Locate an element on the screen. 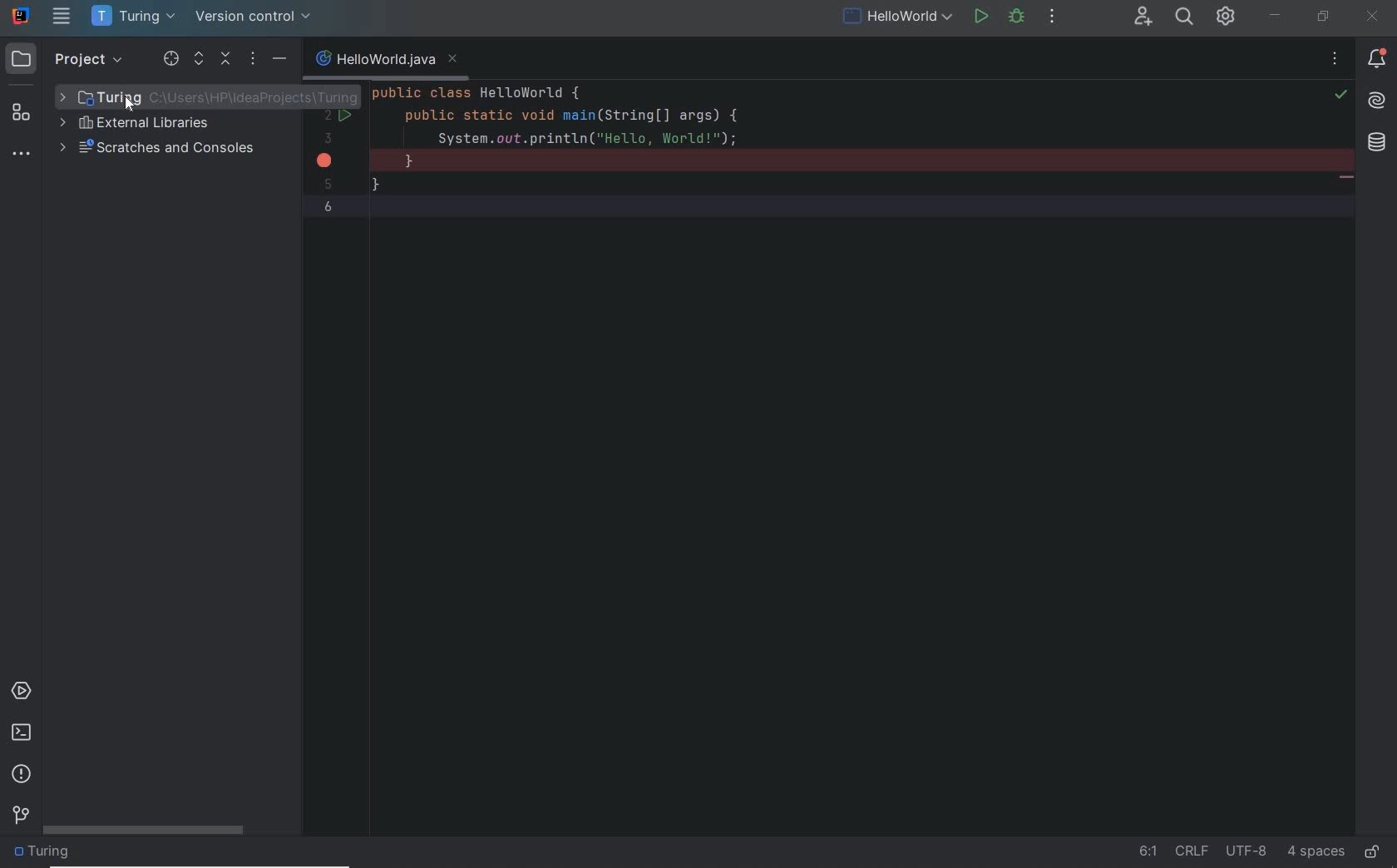 Image resolution: width=1397 pixels, height=868 pixels. AI Assistant is located at coordinates (1377, 101).